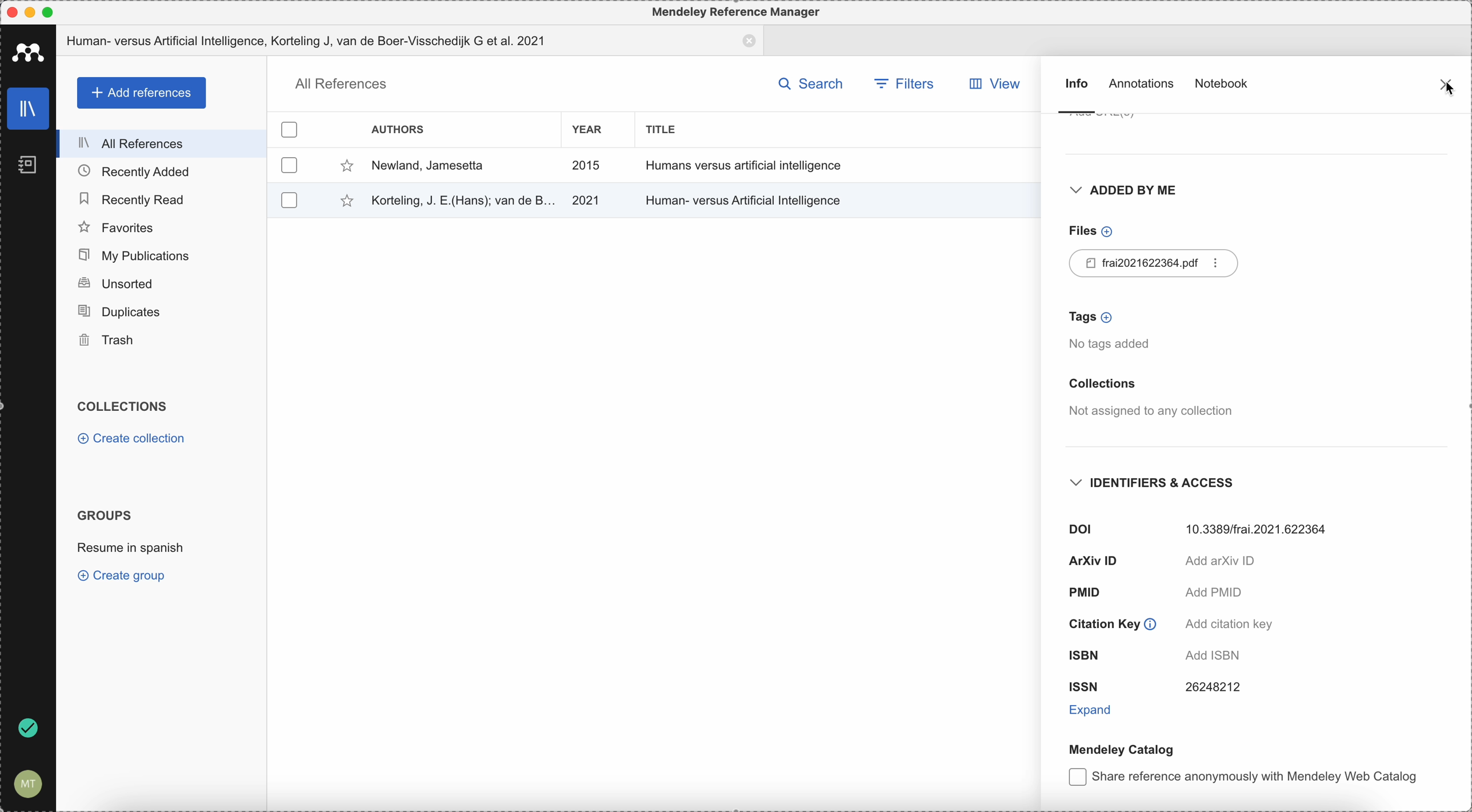  Describe the element at coordinates (161, 171) in the screenshot. I see `recently added` at that location.